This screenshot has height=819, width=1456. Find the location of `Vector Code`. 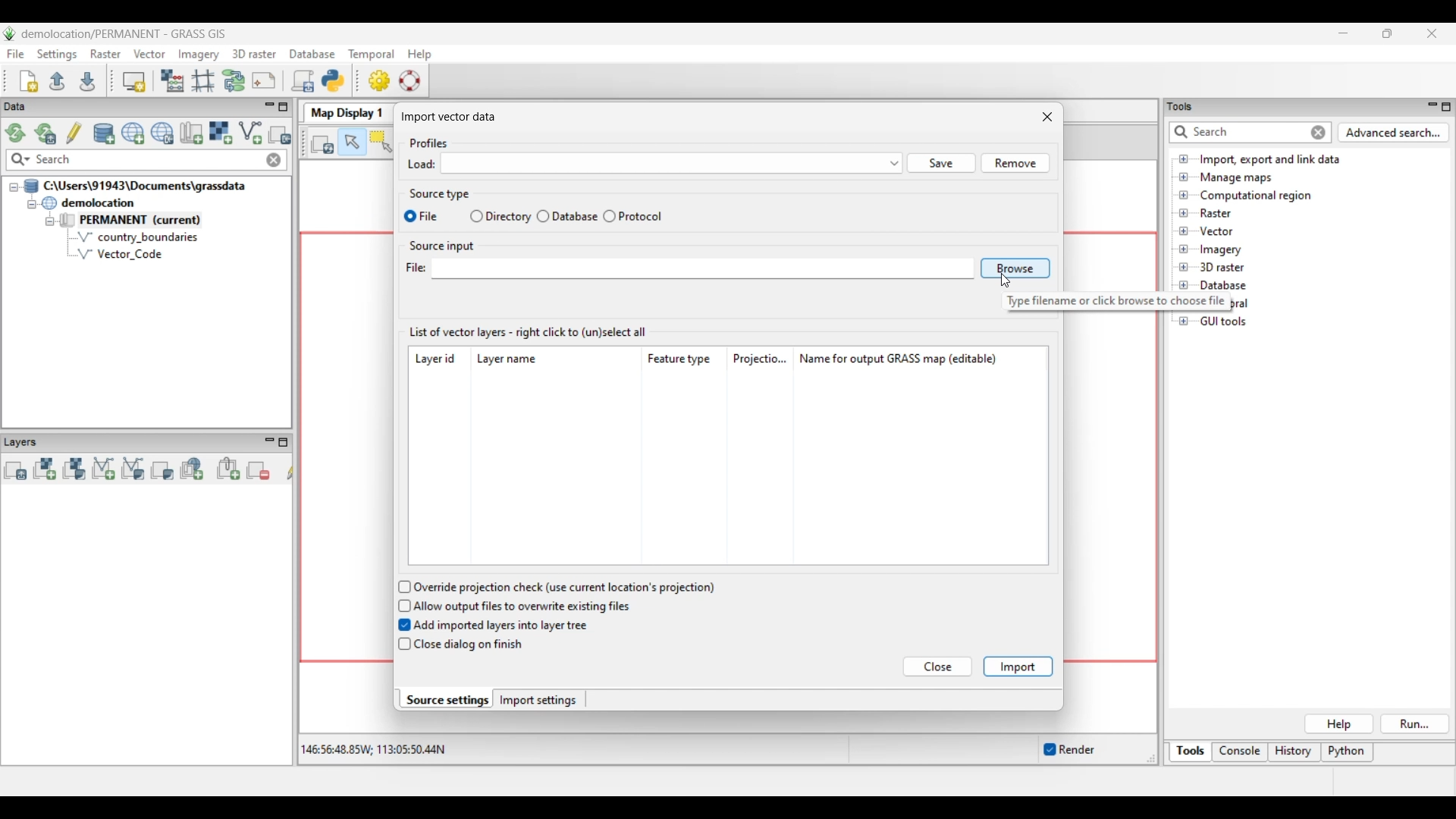

Vector Code is located at coordinates (128, 253).